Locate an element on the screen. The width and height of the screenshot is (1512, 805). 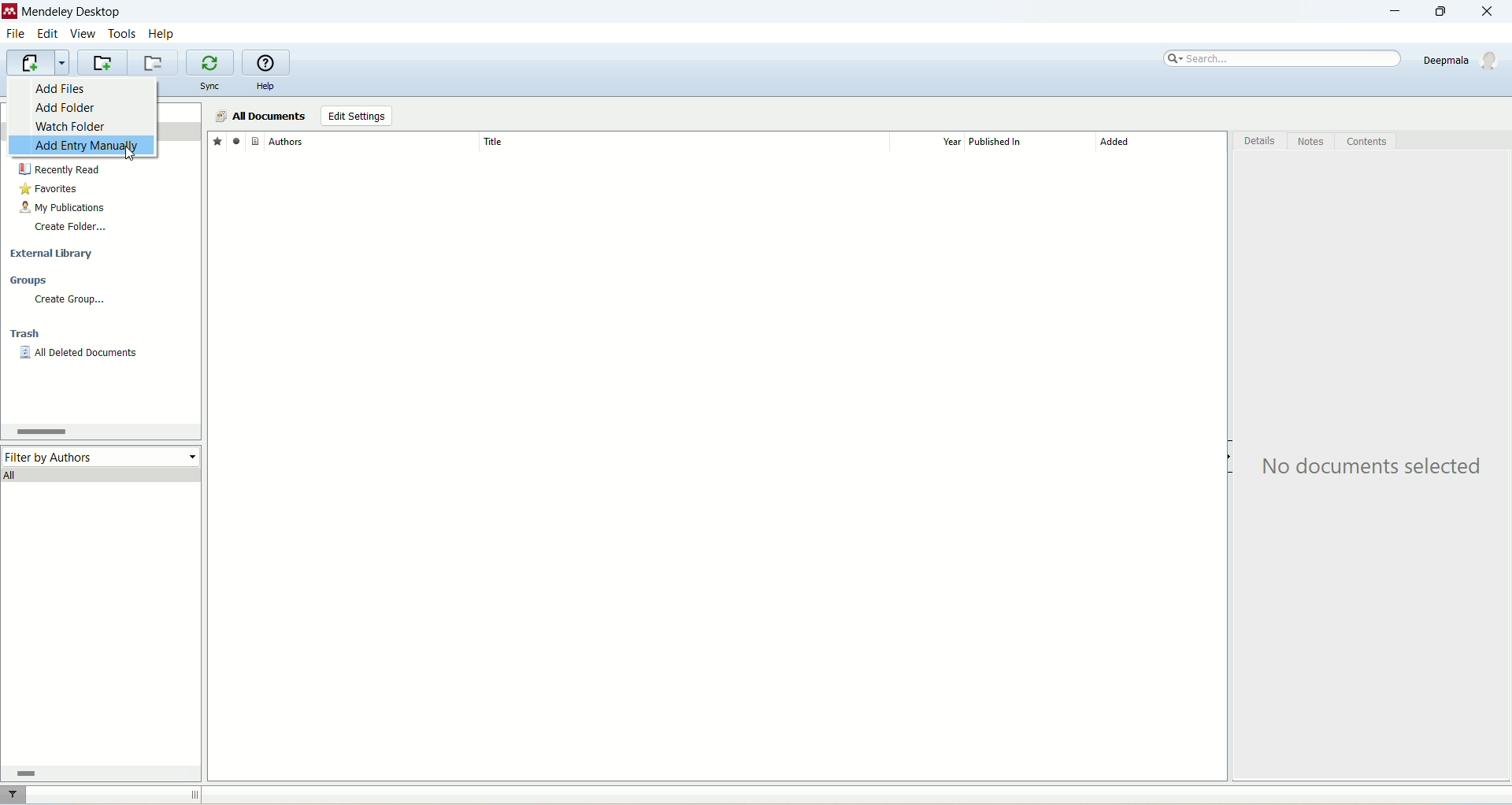
help is located at coordinates (265, 87).